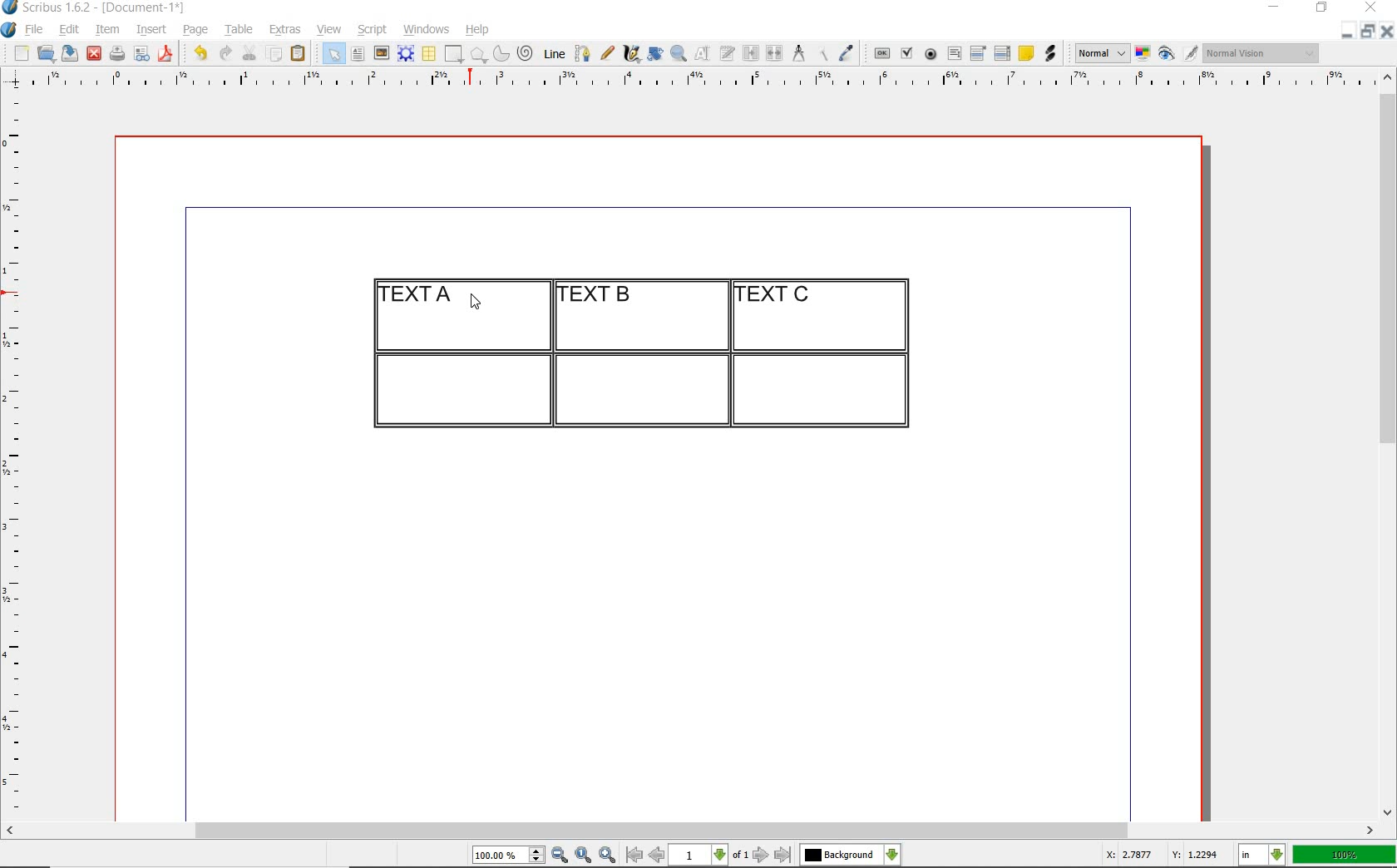  Describe the element at coordinates (372, 29) in the screenshot. I see `script` at that location.